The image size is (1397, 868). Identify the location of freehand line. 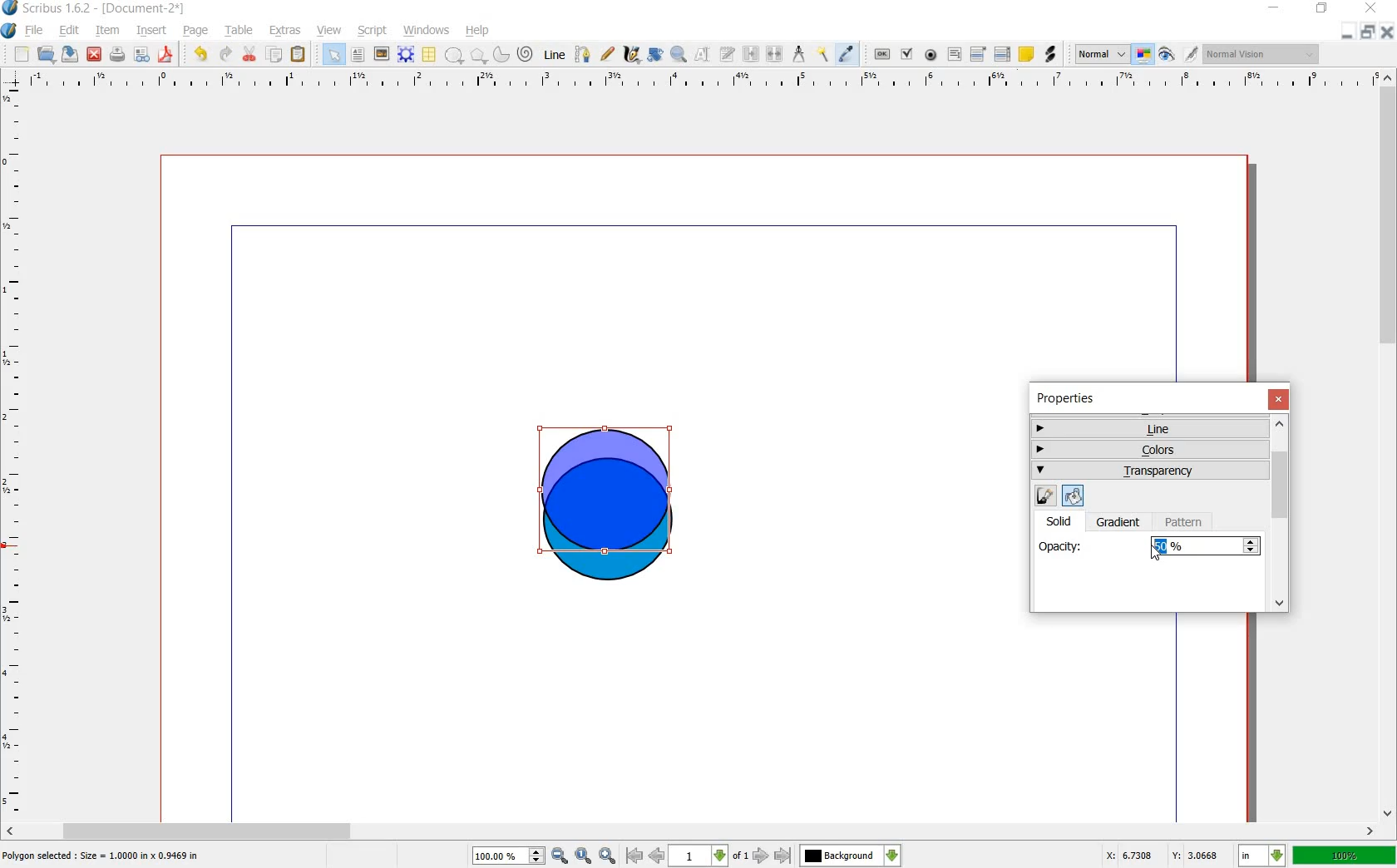
(609, 54).